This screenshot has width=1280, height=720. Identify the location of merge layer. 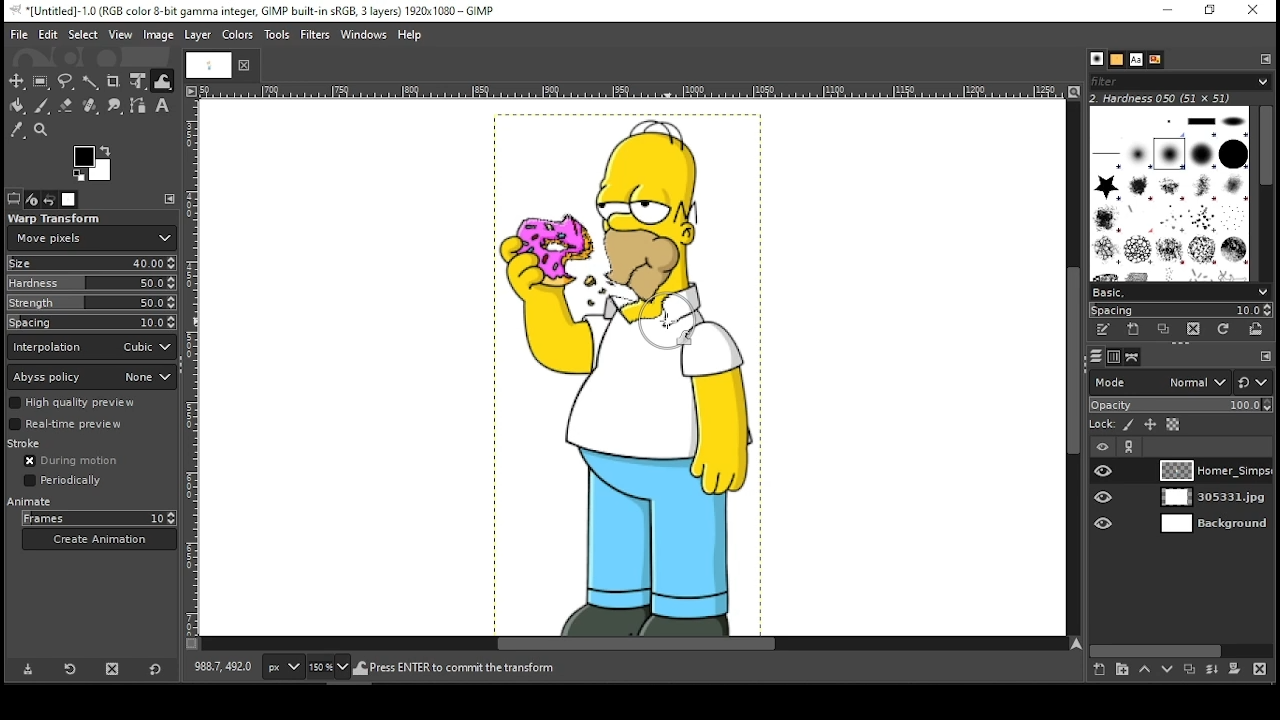
(1212, 669).